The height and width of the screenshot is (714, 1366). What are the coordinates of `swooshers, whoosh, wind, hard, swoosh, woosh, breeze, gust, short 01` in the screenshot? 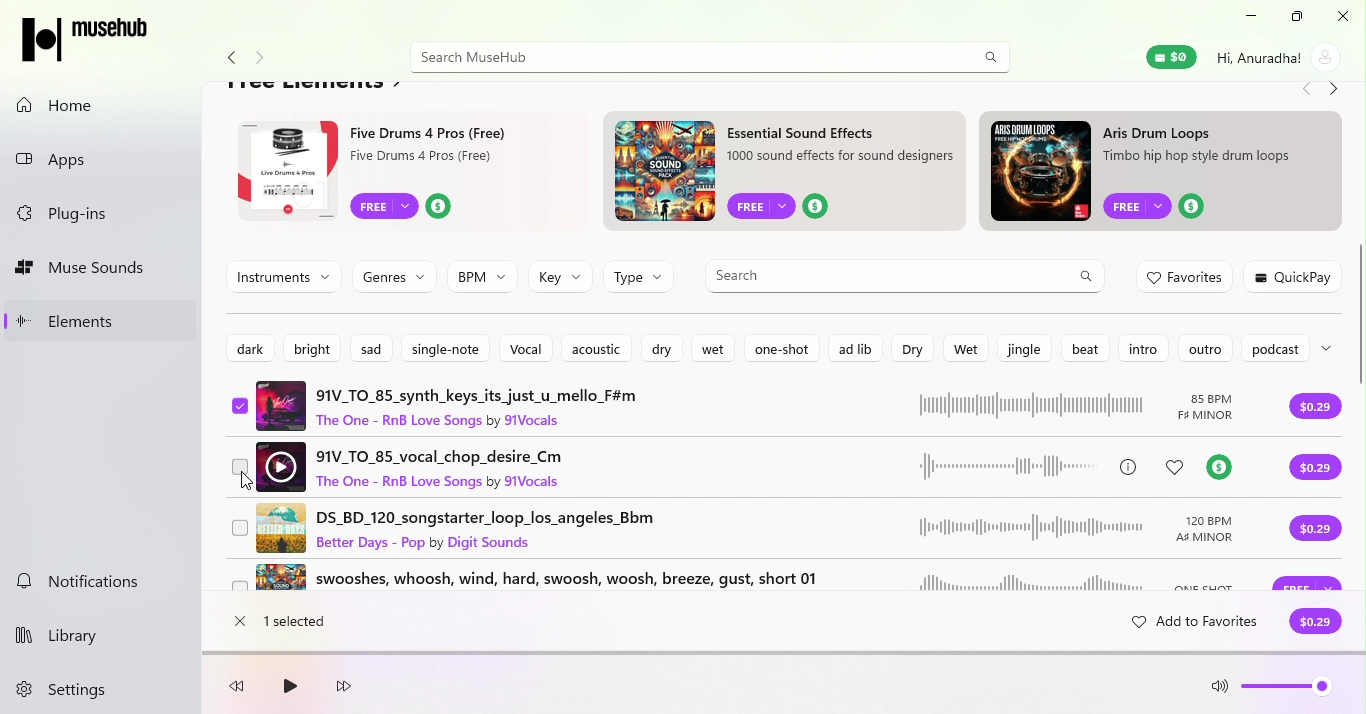 It's located at (752, 585).